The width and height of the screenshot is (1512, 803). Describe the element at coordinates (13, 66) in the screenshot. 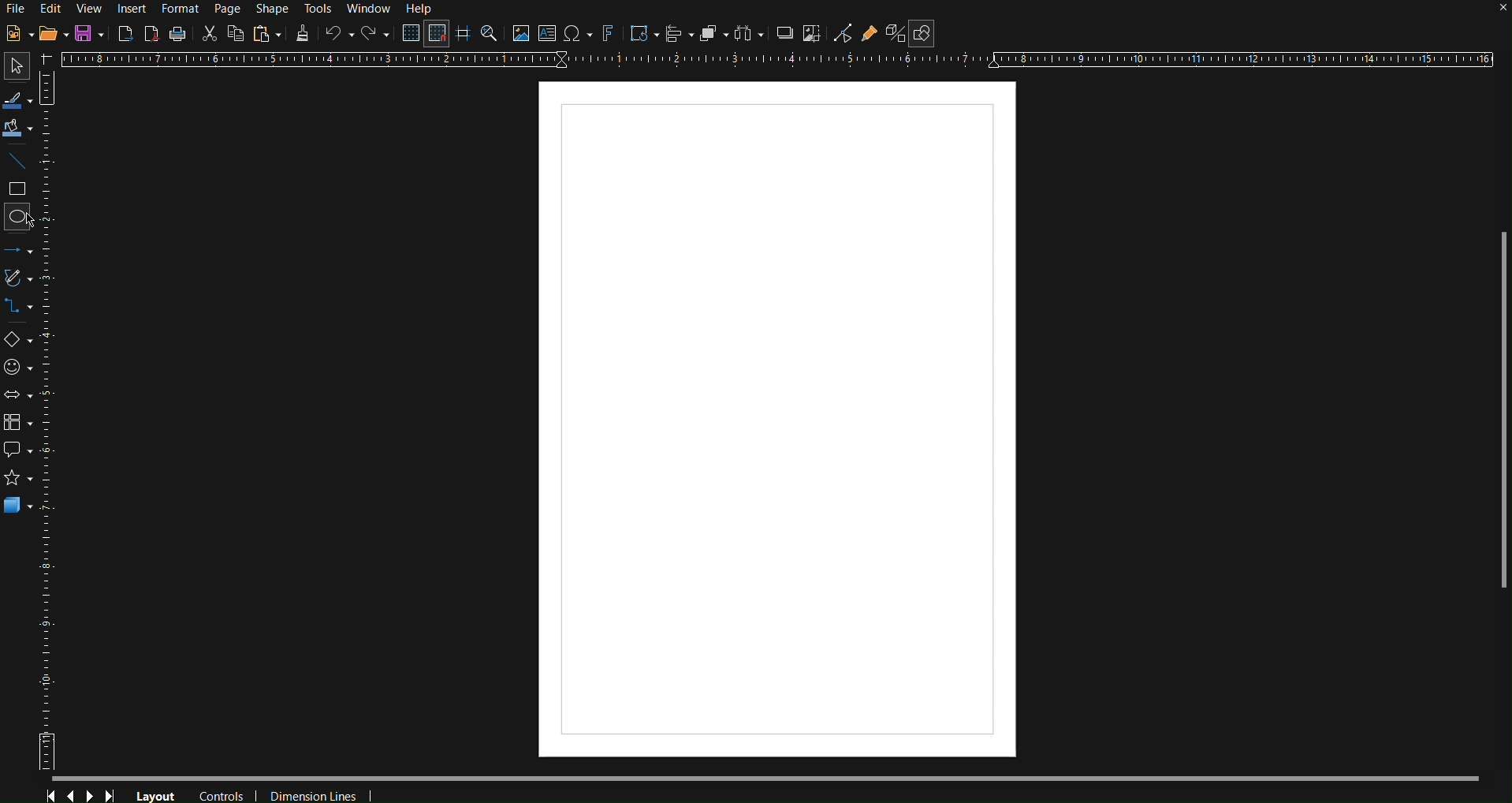

I see `Select` at that location.